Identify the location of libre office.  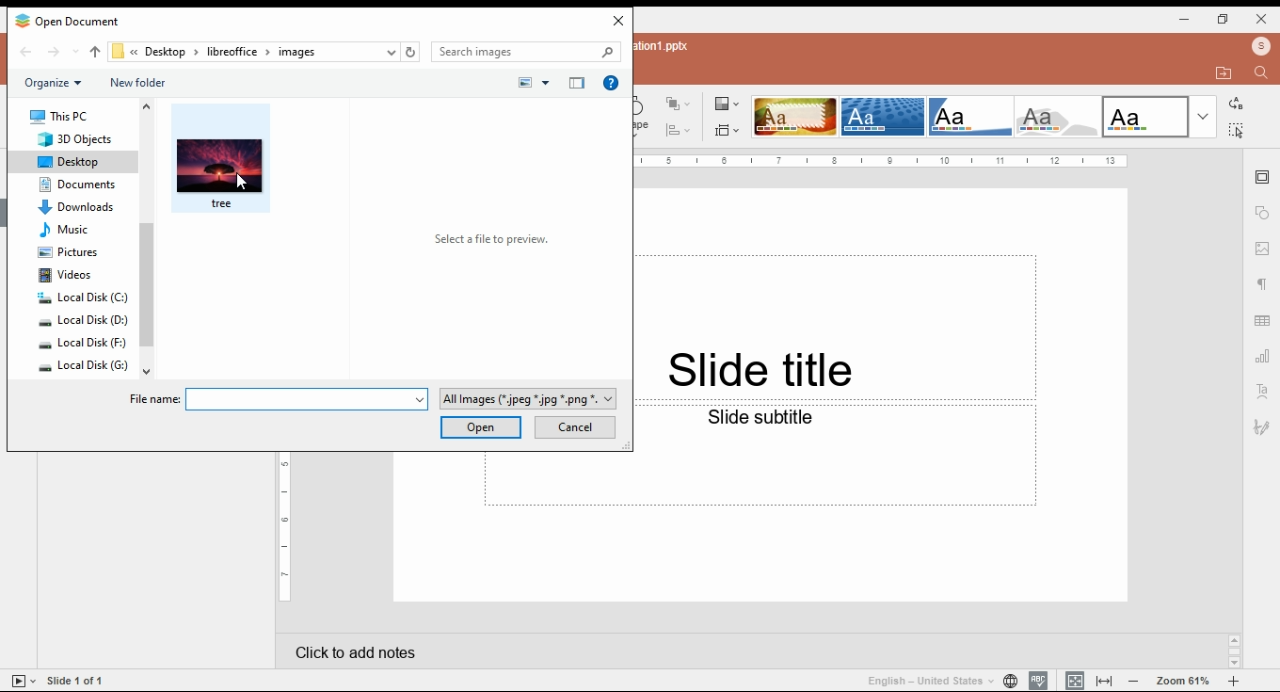
(232, 52).